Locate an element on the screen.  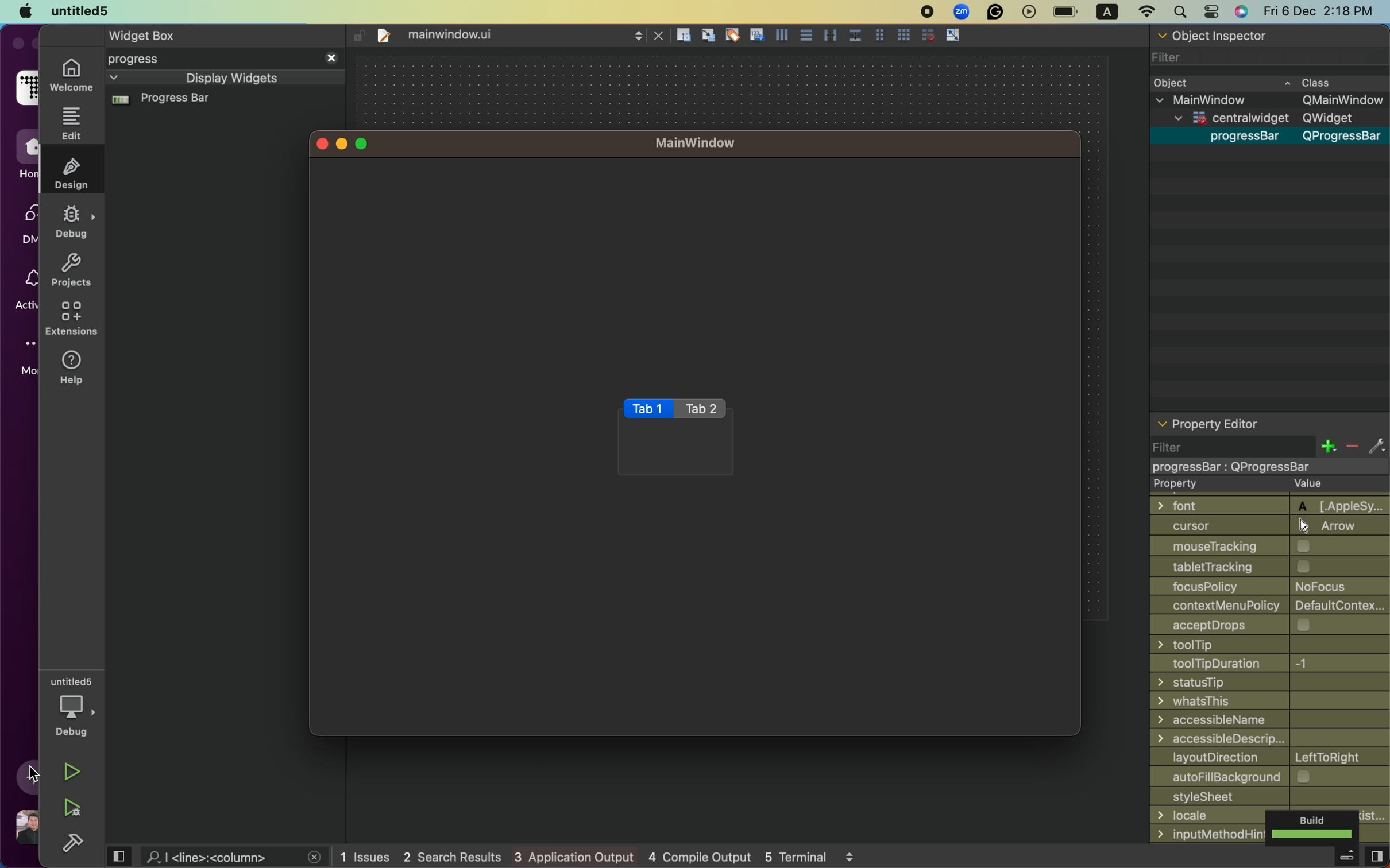
filter is located at coordinates (1169, 447).